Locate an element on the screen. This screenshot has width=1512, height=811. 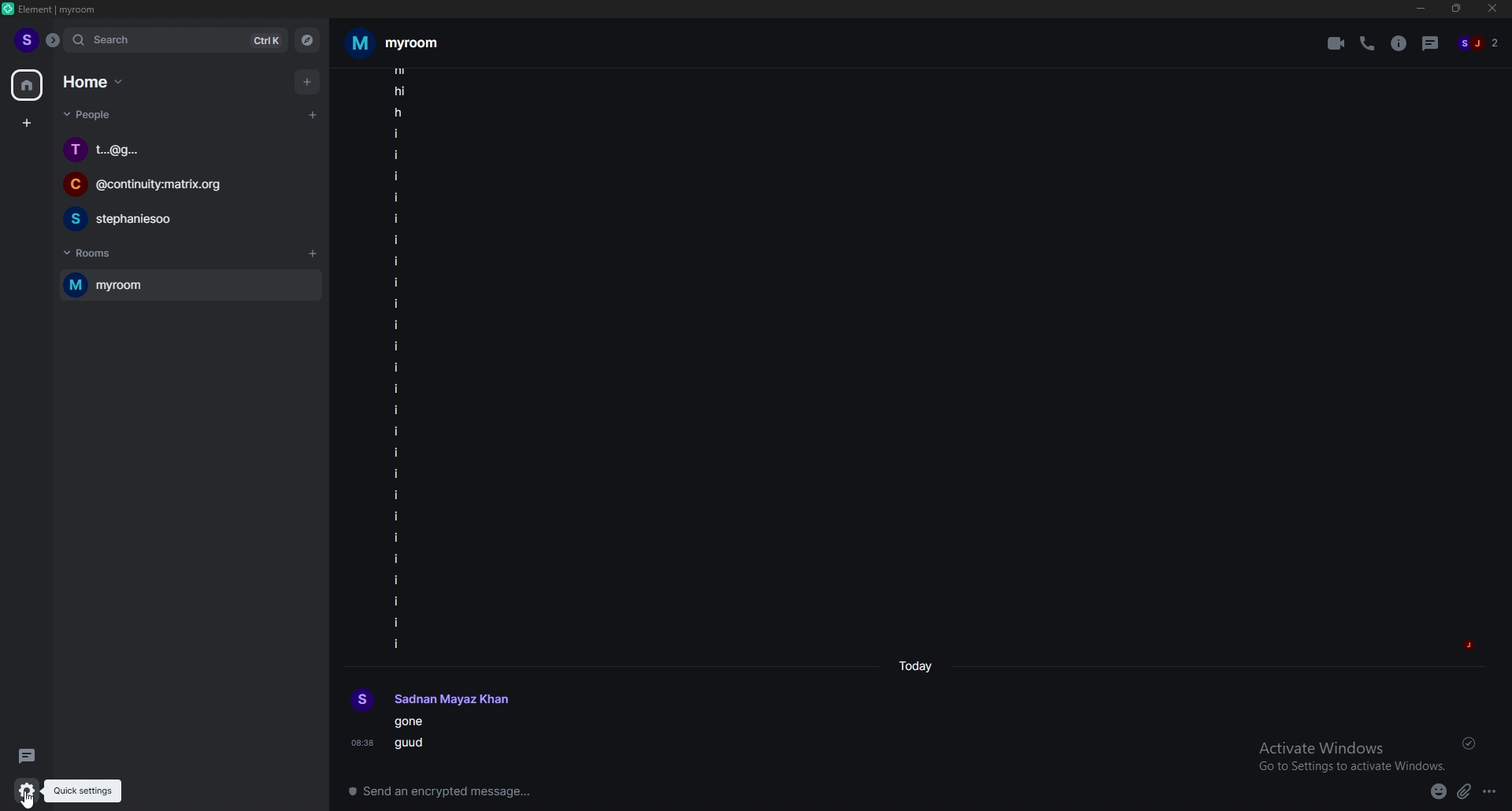
start chat is located at coordinates (312, 114).